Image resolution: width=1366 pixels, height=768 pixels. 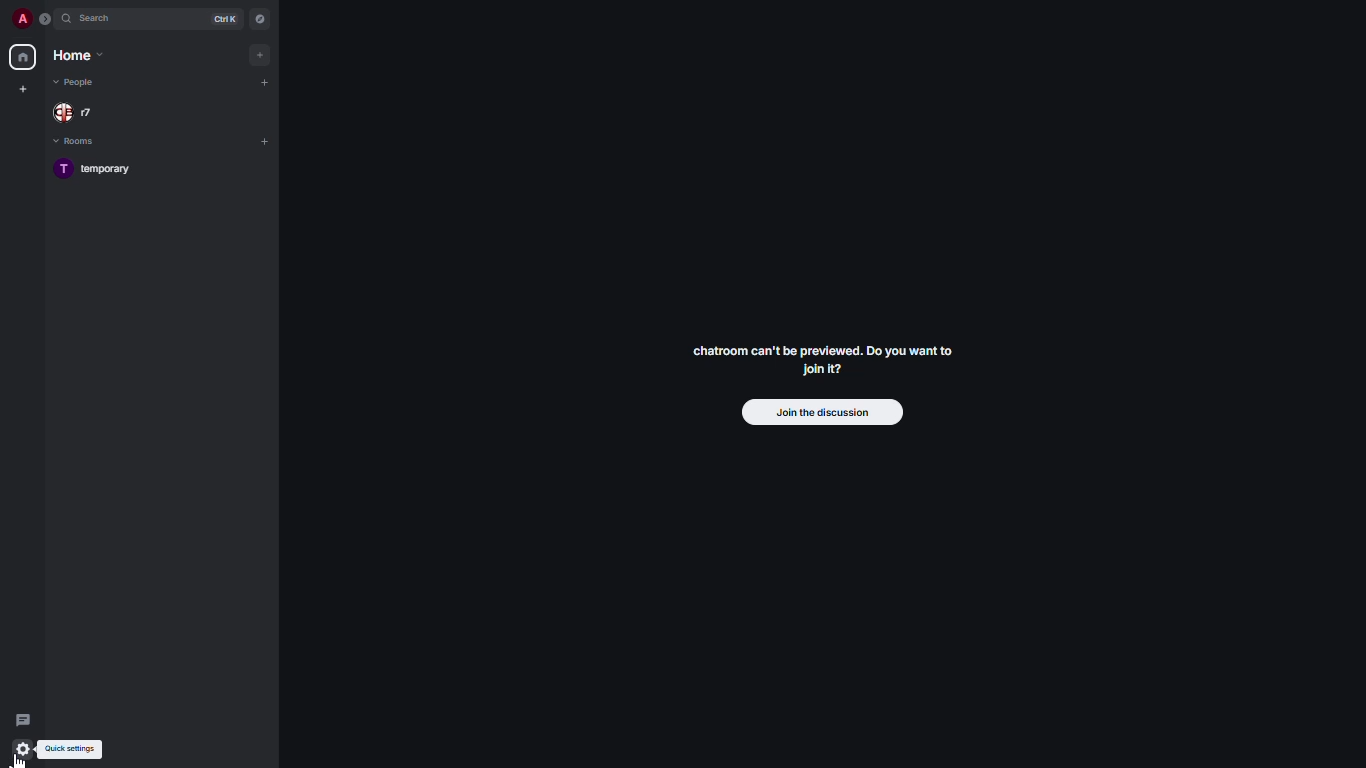 What do you see at coordinates (73, 752) in the screenshot?
I see `quick settings` at bounding box center [73, 752].